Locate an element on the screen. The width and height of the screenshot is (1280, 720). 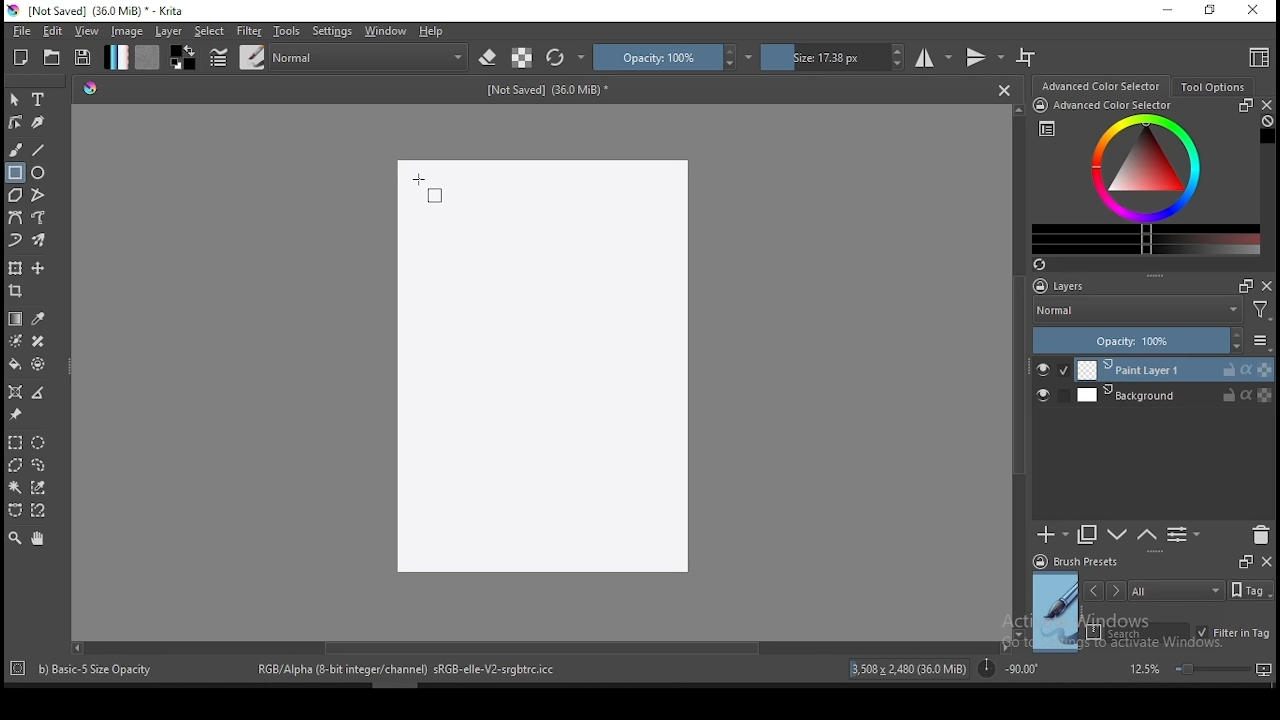
move layer one step up is located at coordinates (1118, 537).